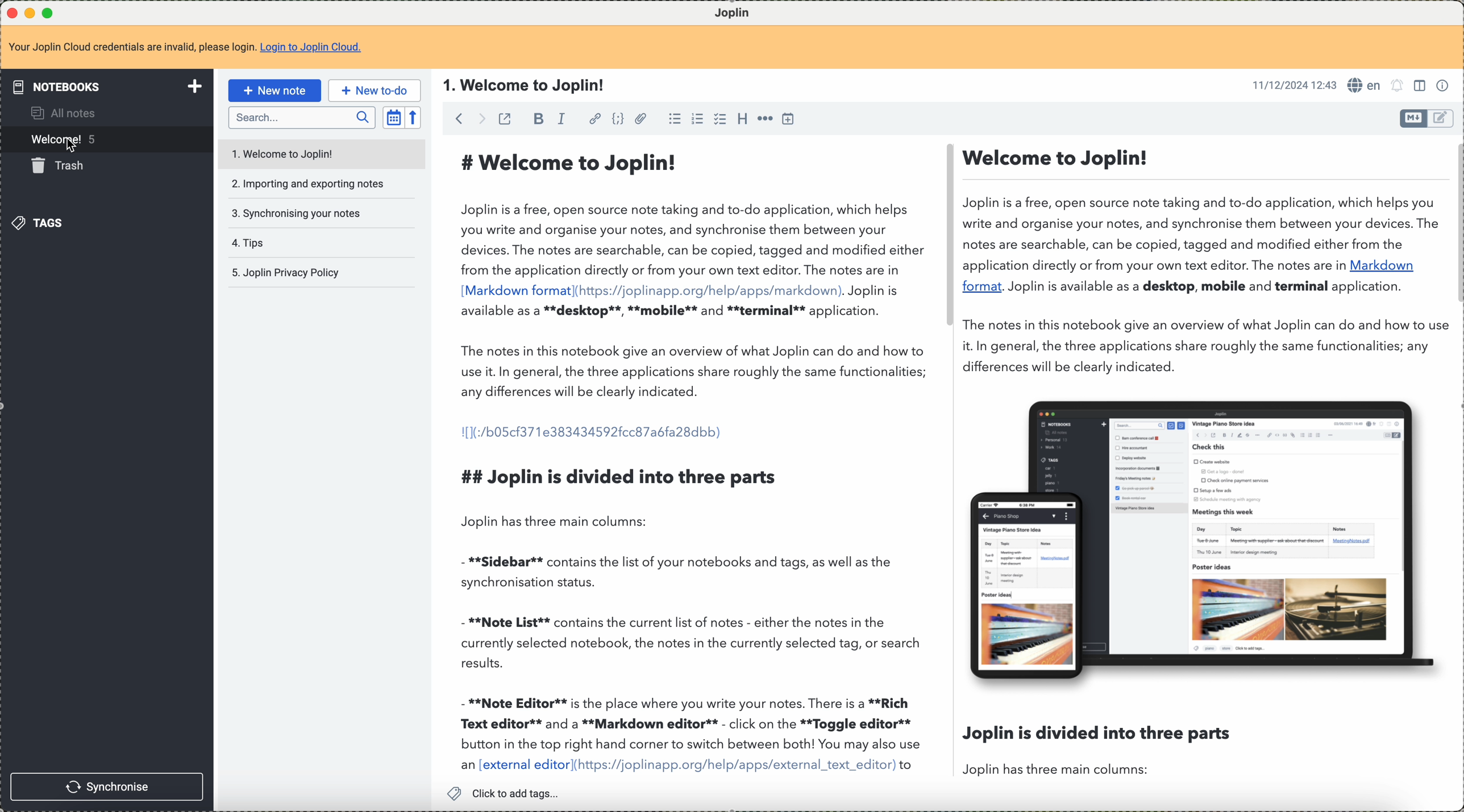 The height and width of the screenshot is (812, 1464). What do you see at coordinates (640, 119) in the screenshot?
I see `attach file` at bounding box center [640, 119].